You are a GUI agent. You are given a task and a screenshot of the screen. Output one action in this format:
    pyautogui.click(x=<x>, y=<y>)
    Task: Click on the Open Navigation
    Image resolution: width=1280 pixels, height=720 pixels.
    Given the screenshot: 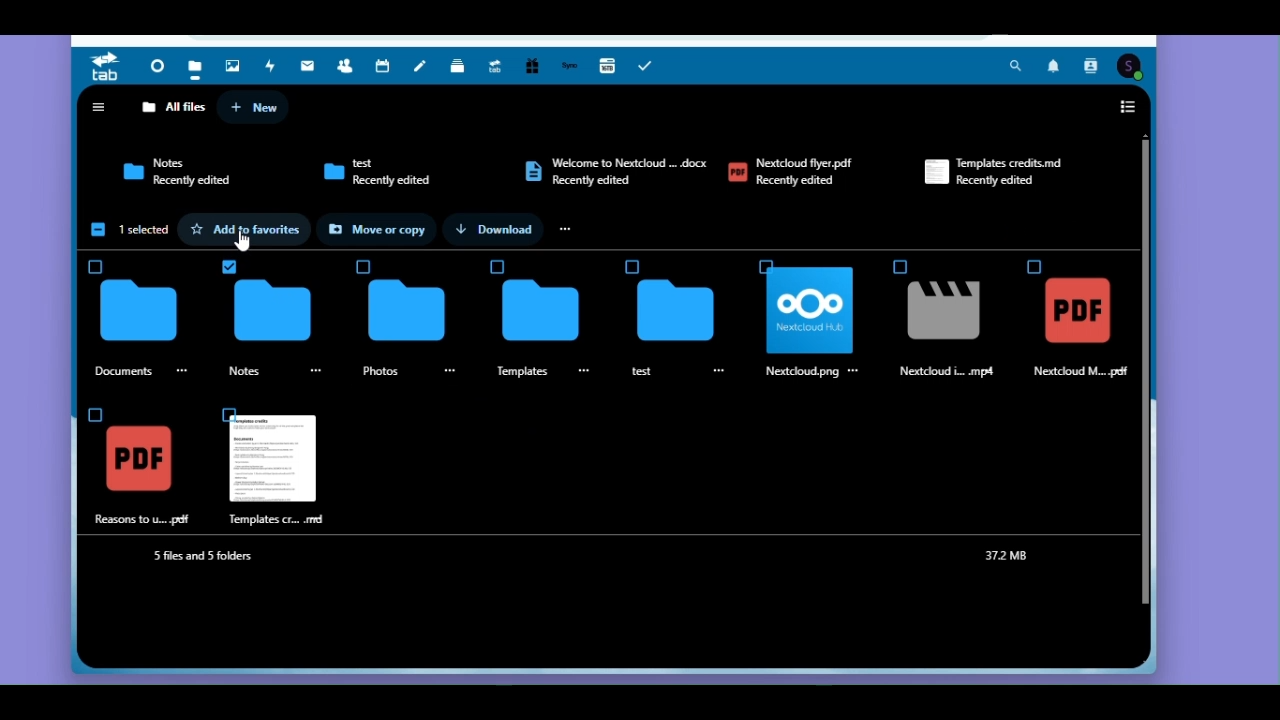 What is the action you would take?
    pyautogui.click(x=98, y=106)
    